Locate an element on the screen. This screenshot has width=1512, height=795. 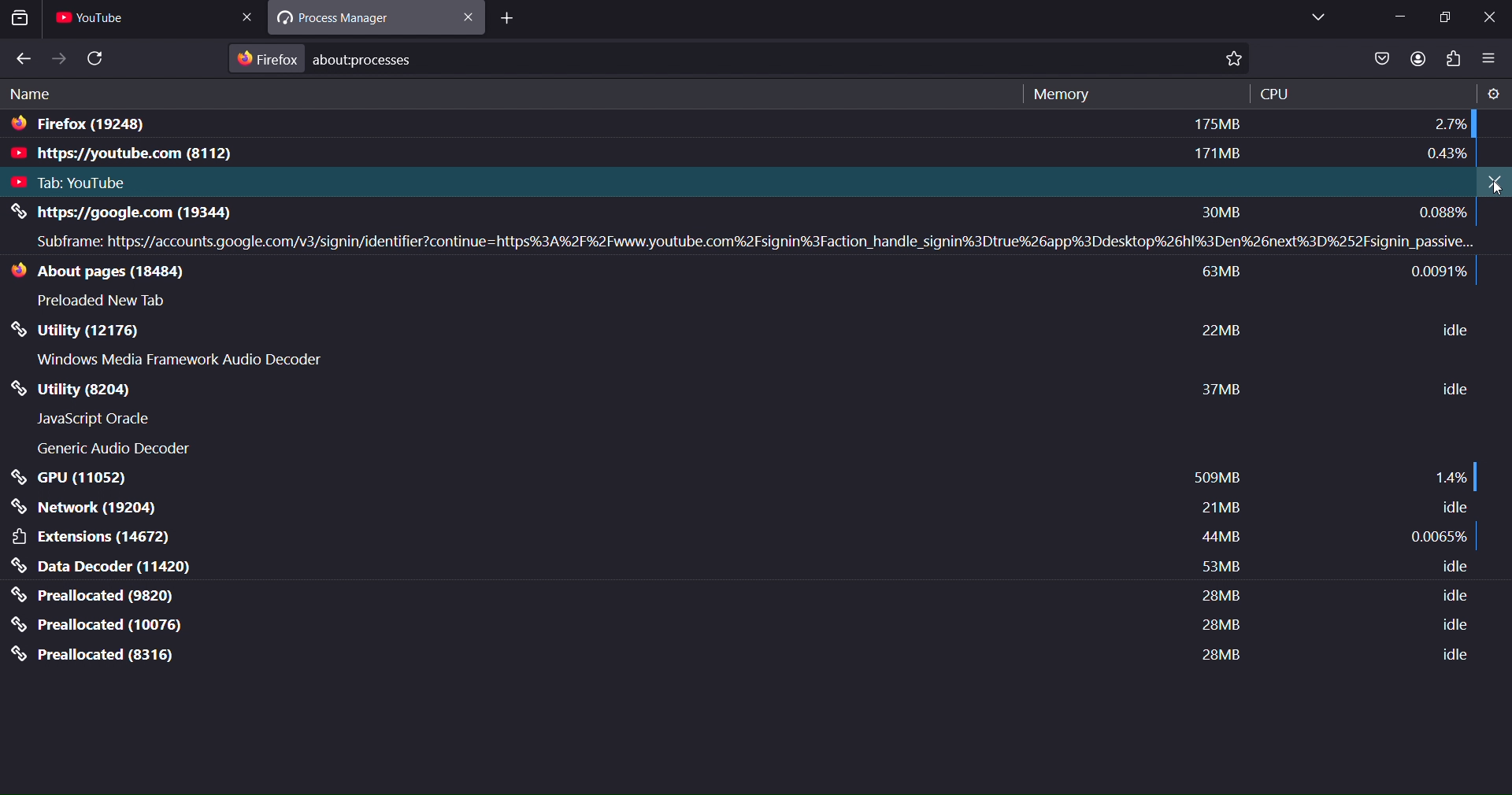
28 mbb is located at coordinates (1216, 654).